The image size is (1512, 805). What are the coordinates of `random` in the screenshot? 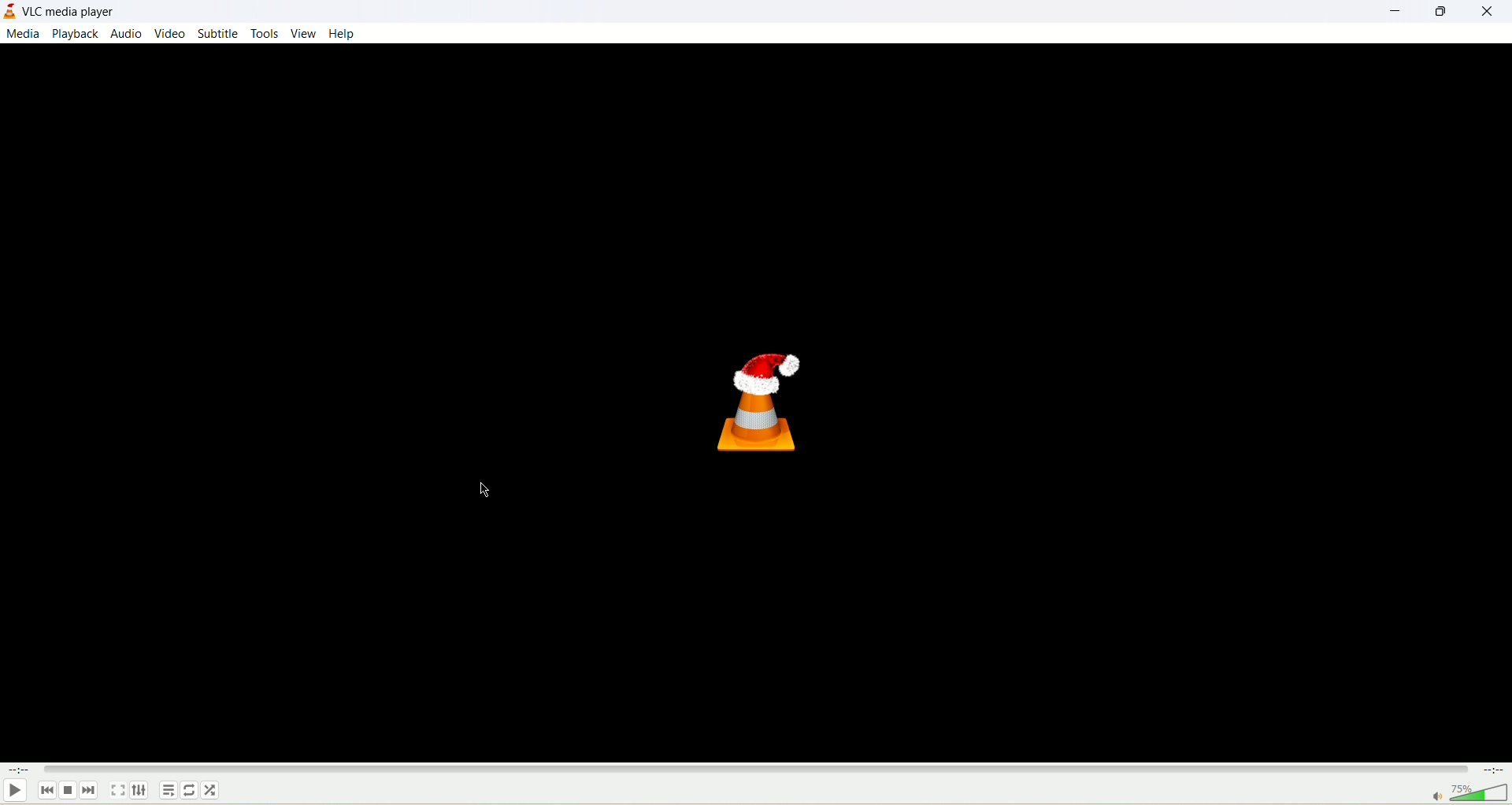 It's located at (213, 791).